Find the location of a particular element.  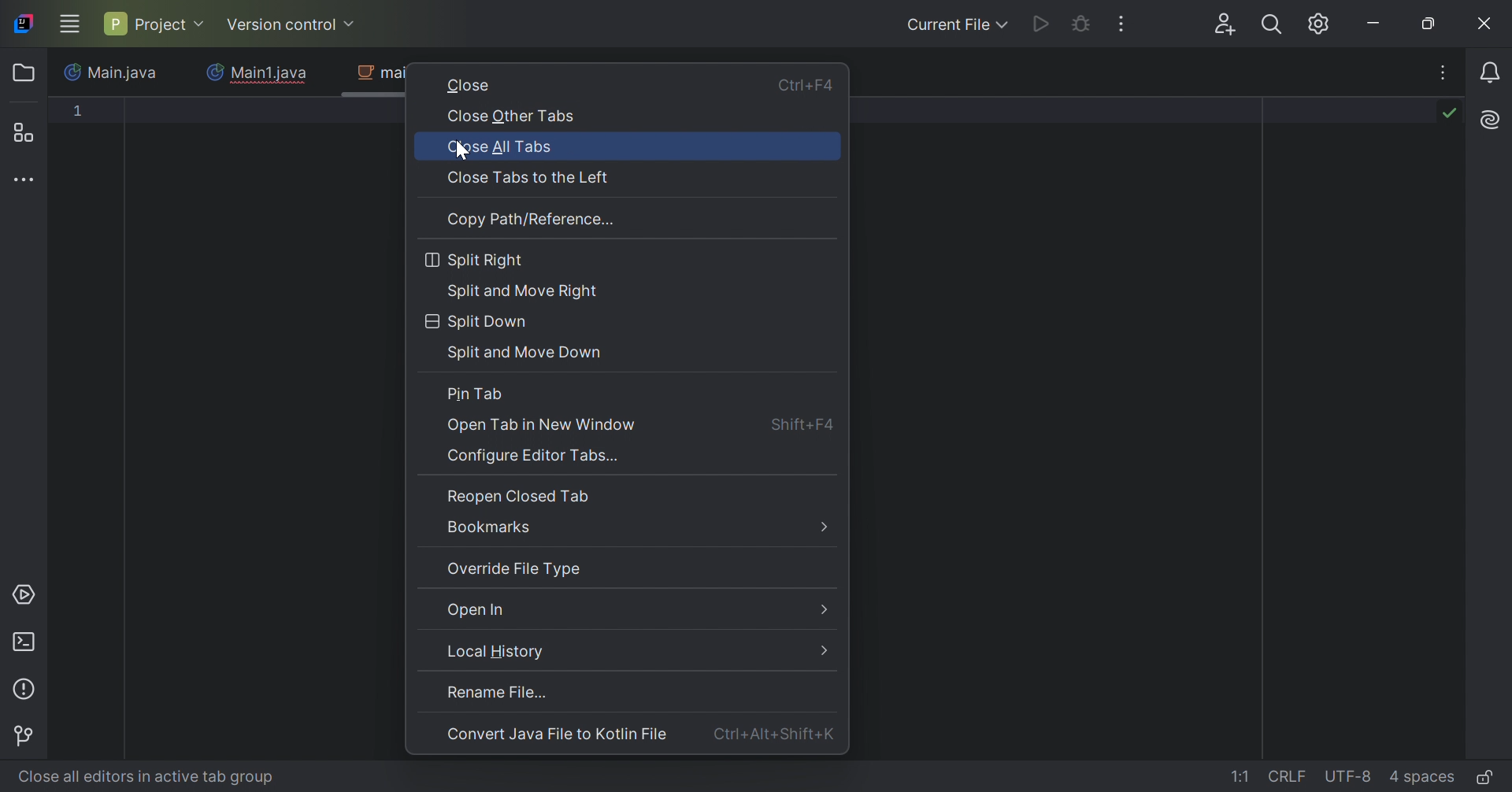

Updates available. IDE and Project settings. is located at coordinates (1318, 24).